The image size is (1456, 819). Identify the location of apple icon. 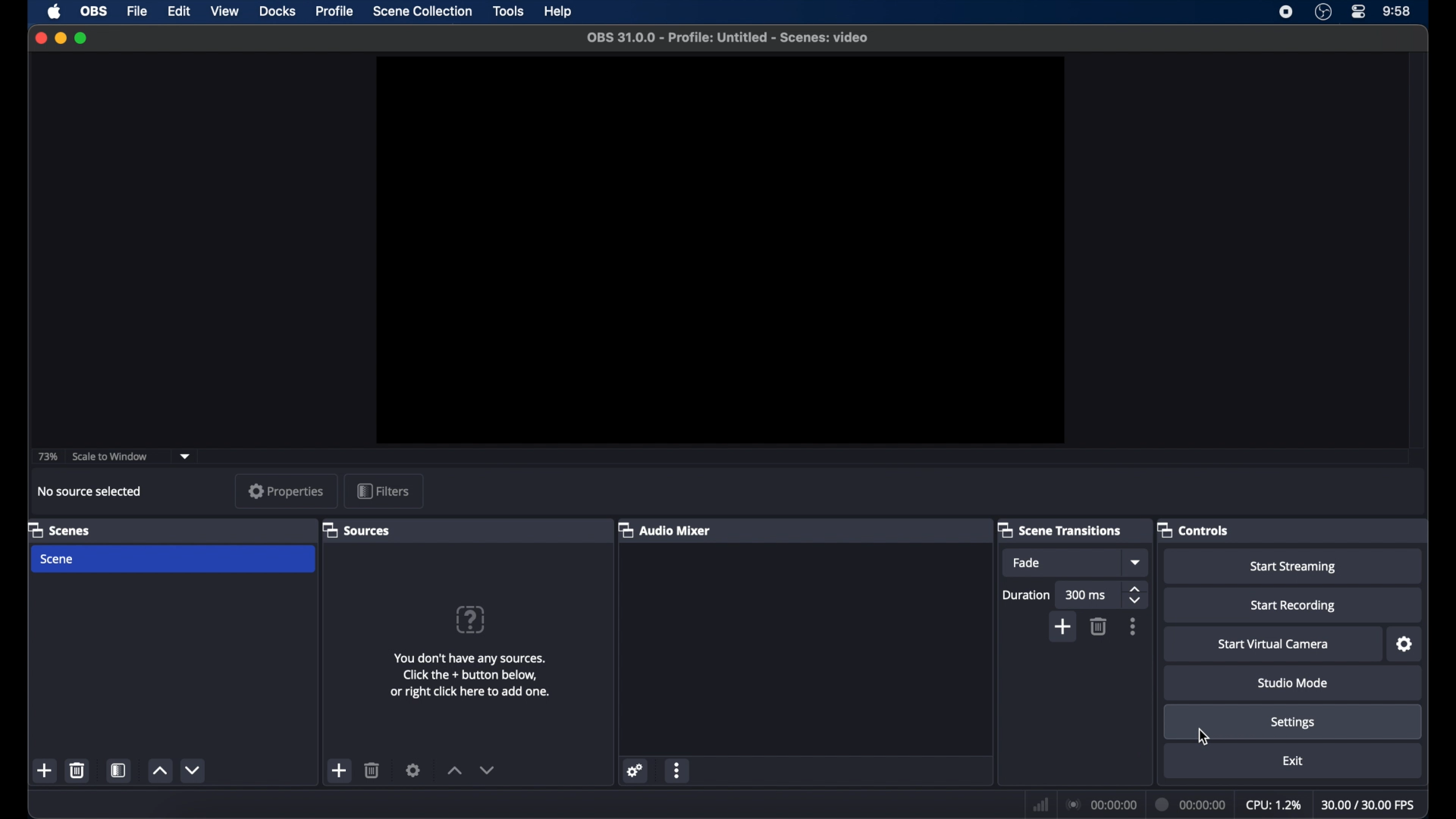
(54, 12).